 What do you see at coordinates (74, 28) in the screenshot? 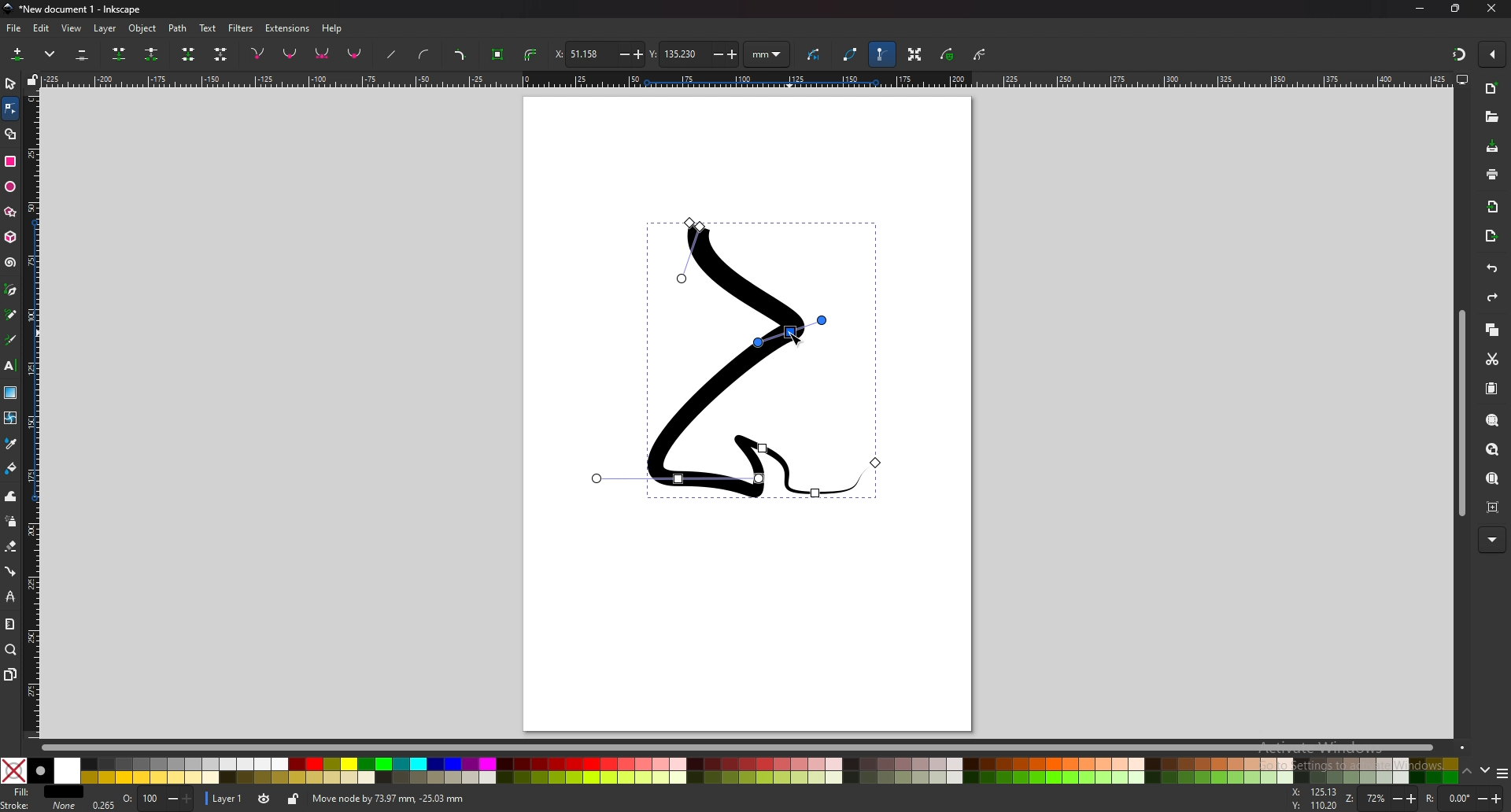
I see `view` at bounding box center [74, 28].